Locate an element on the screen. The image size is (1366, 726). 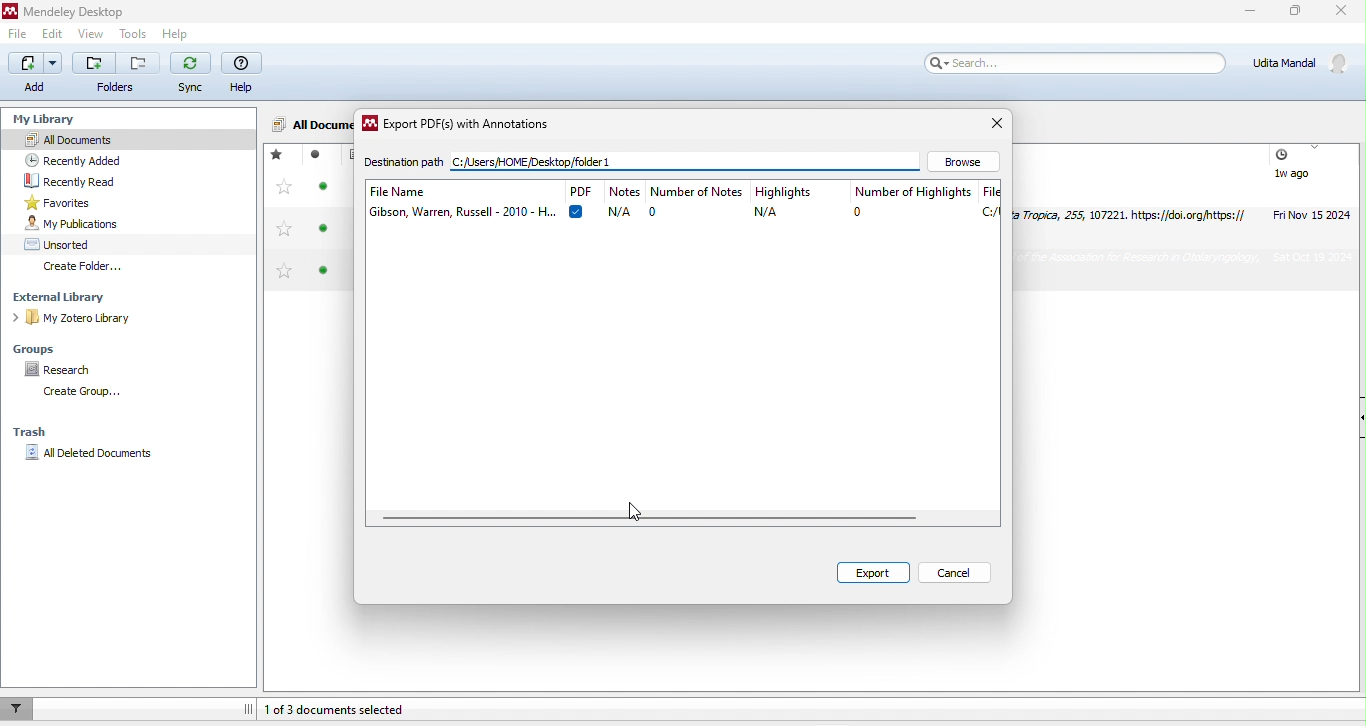
unsorted is located at coordinates (67, 243).